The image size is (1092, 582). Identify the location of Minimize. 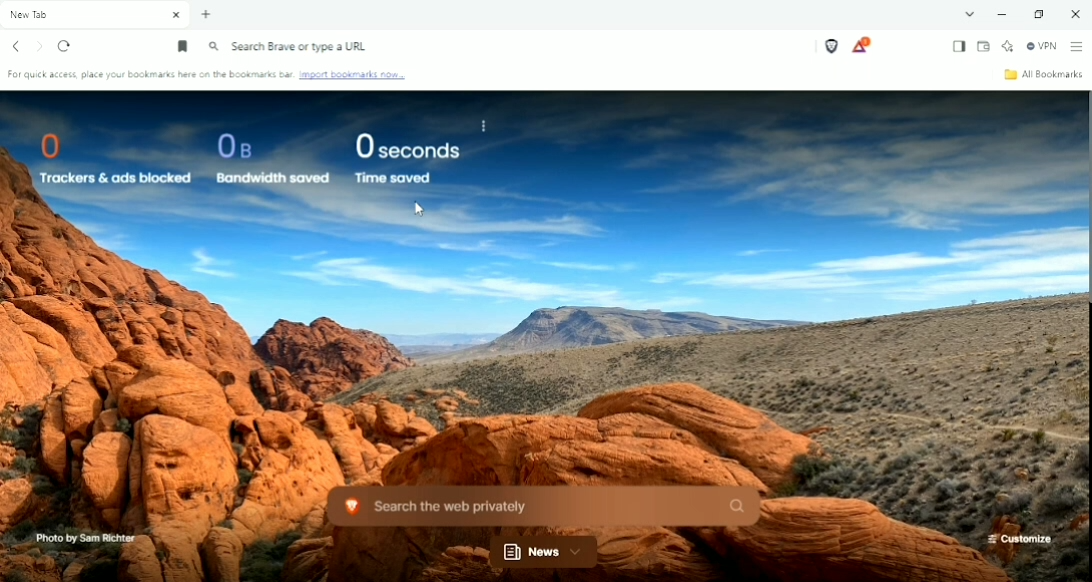
(1001, 15).